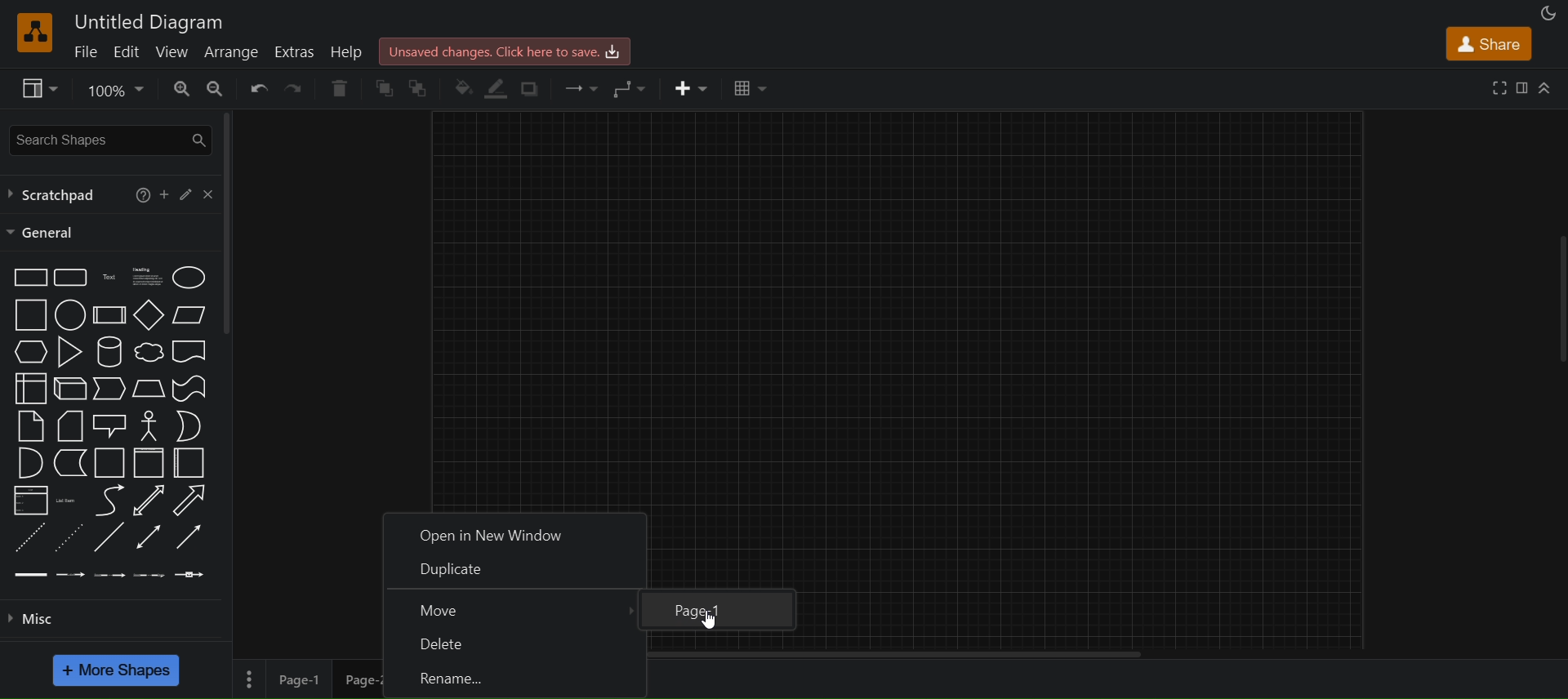  Describe the element at coordinates (163, 196) in the screenshot. I see `add` at that location.